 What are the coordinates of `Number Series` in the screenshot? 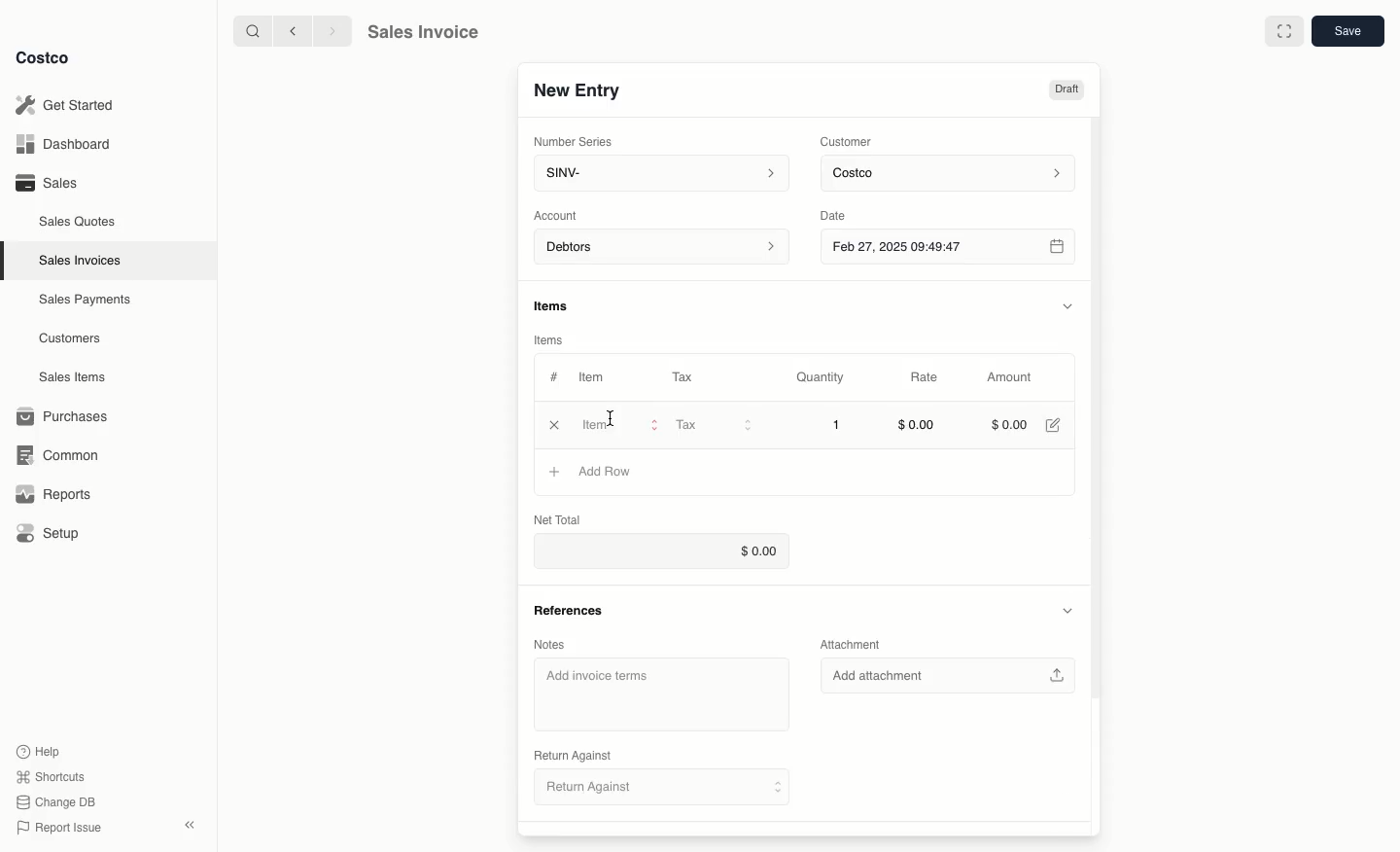 It's located at (575, 140).